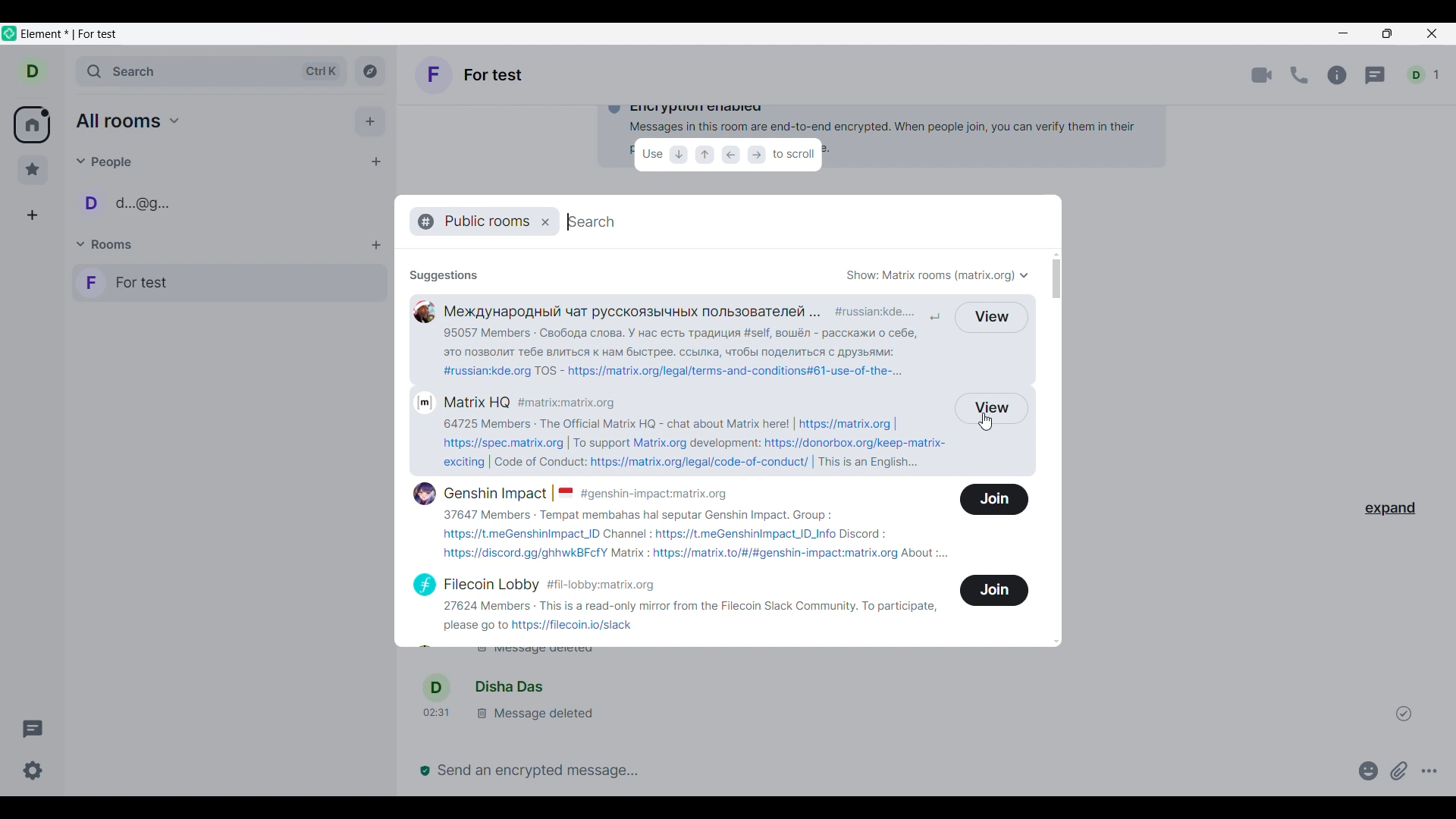 Image resolution: width=1456 pixels, height=819 pixels. Describe the element at coordinates (614, 311) in the screenshot. I see `Международный чат русскоязычных пользователей` at that location.